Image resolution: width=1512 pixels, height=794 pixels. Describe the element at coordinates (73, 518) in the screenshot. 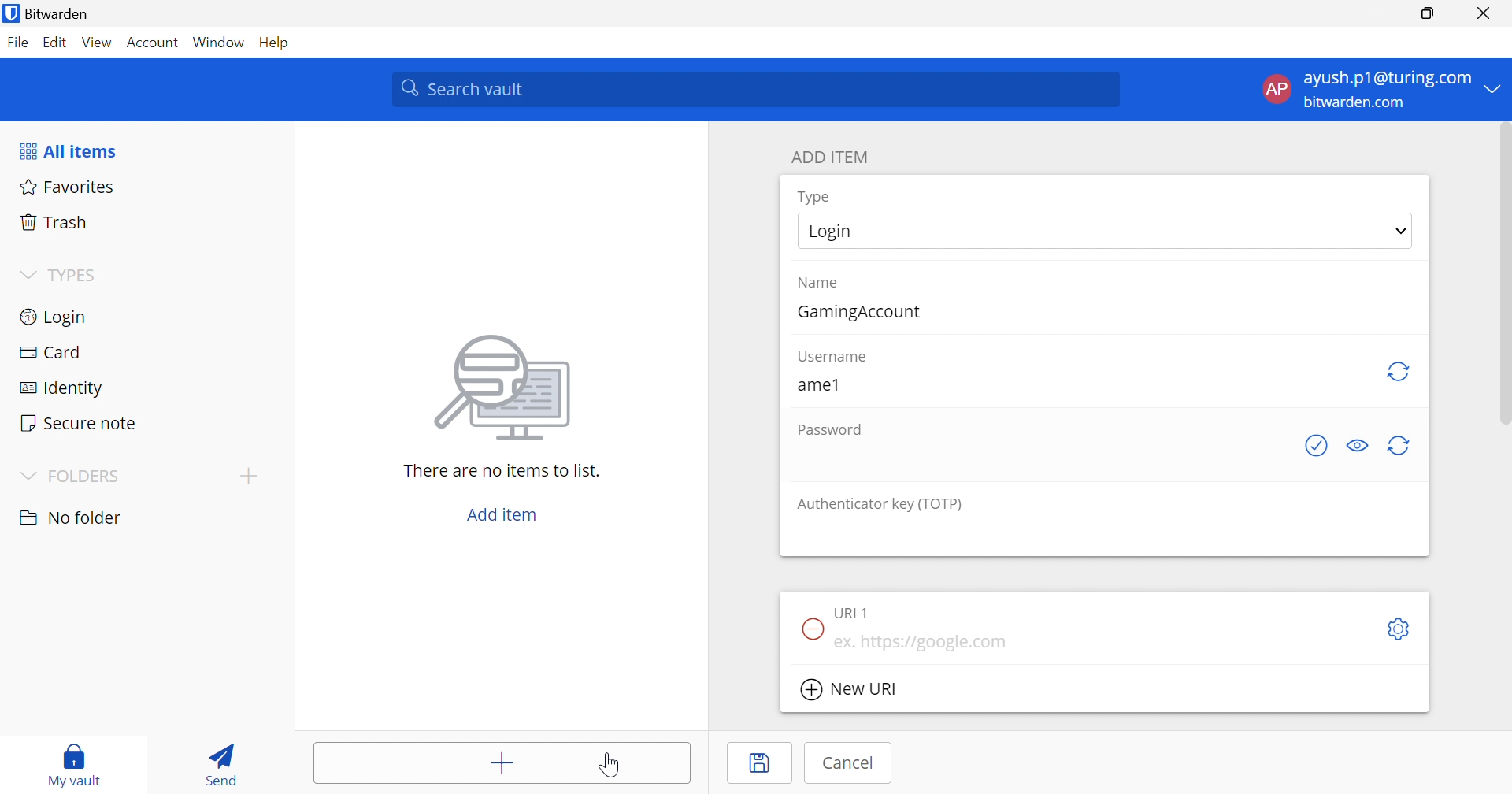

I see `No folder` at that location.